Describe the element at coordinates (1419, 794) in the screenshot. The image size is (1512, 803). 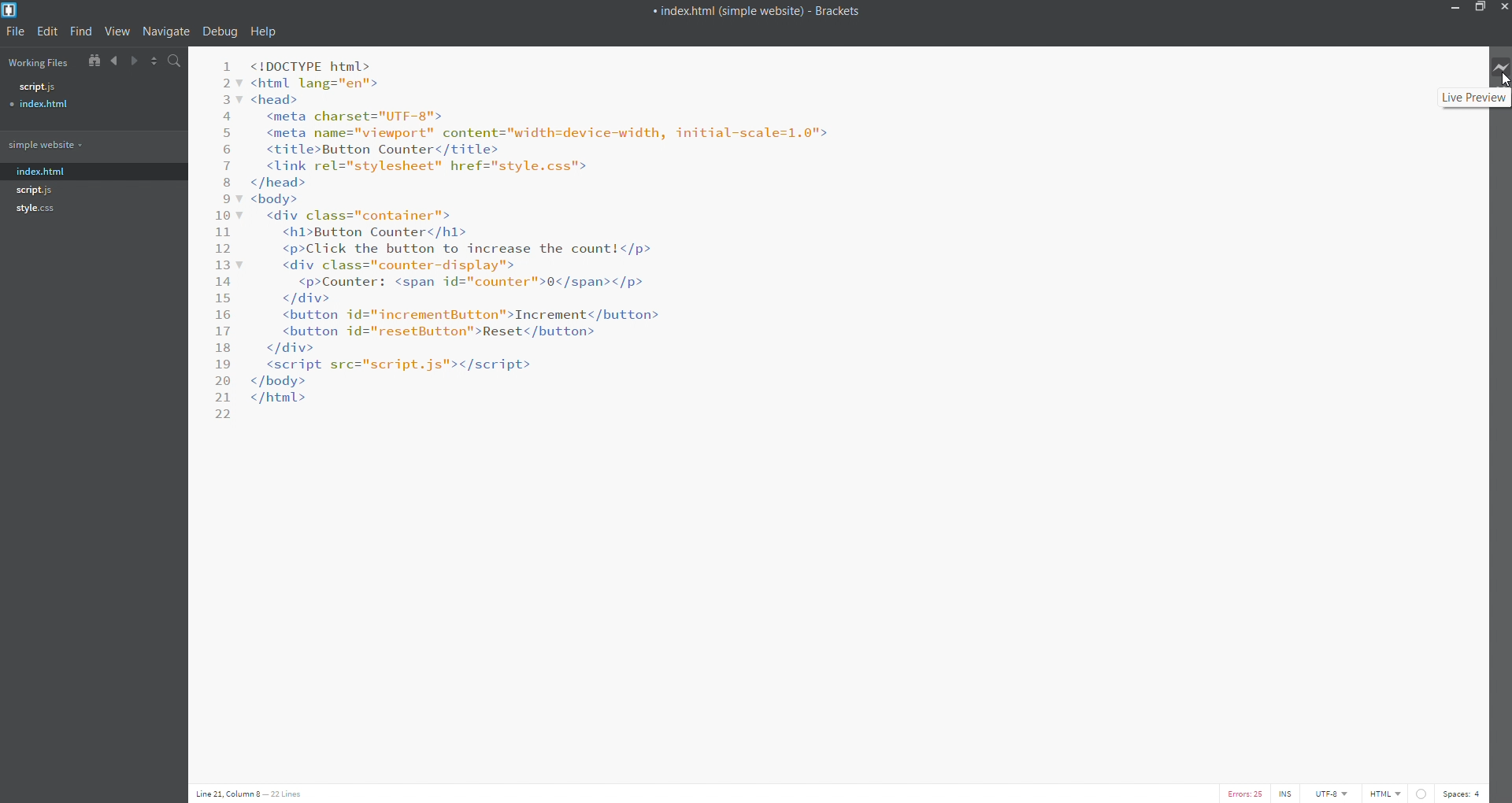
I see `linter editor` at that location.